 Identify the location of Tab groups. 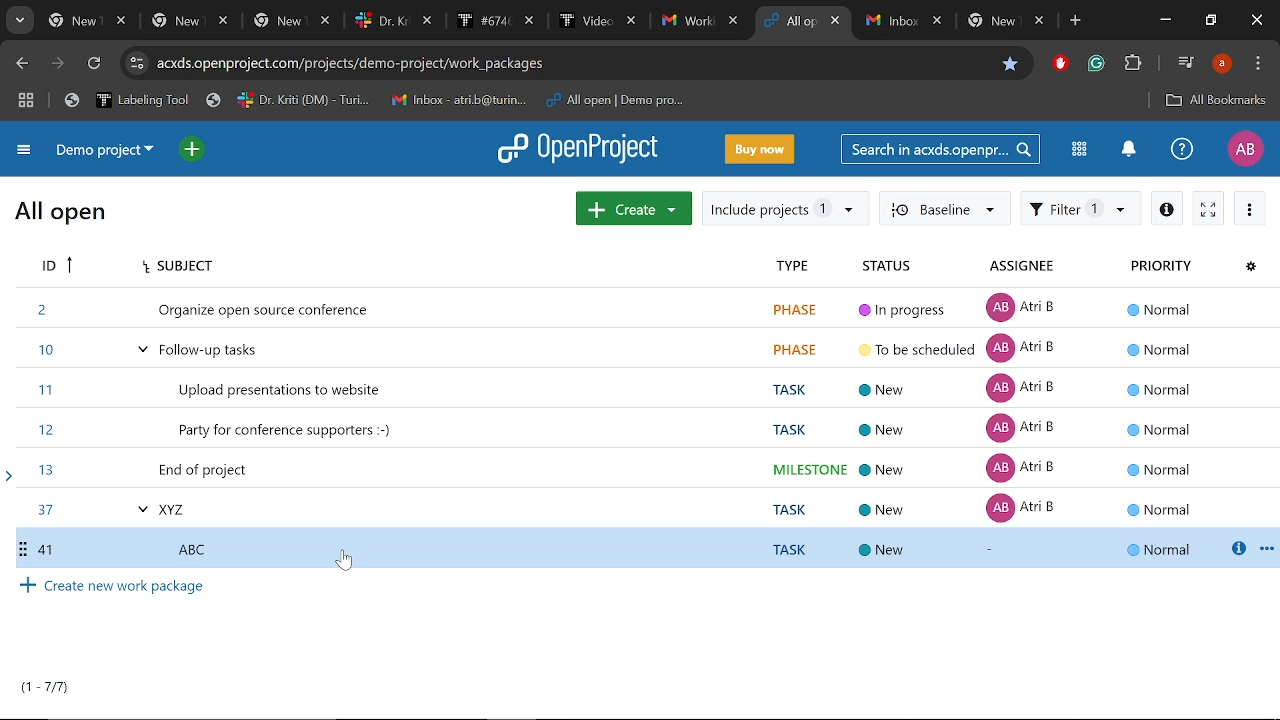
(28, 102).